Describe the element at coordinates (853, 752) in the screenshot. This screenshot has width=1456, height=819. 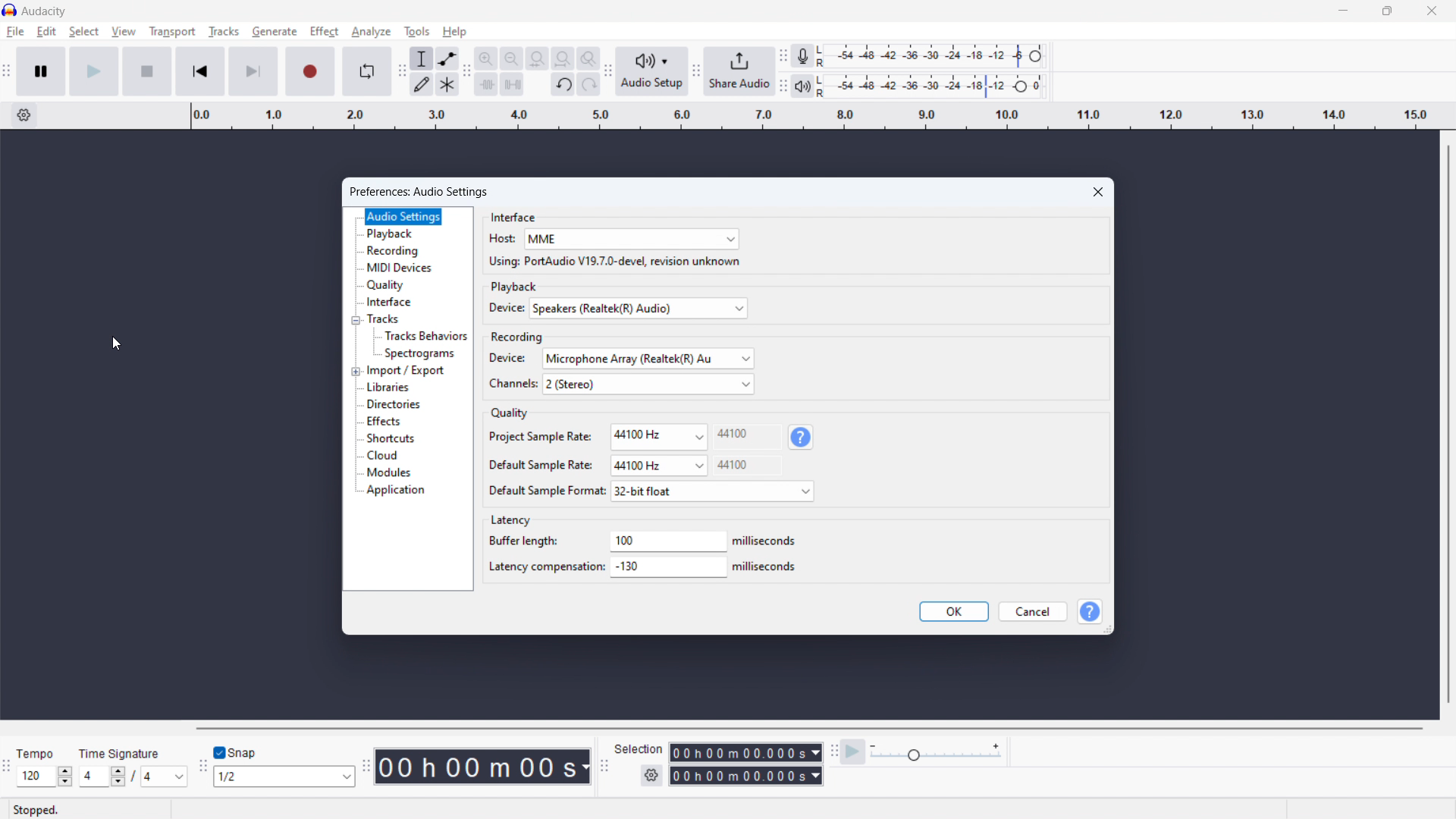
I see `play at speed` at that location.